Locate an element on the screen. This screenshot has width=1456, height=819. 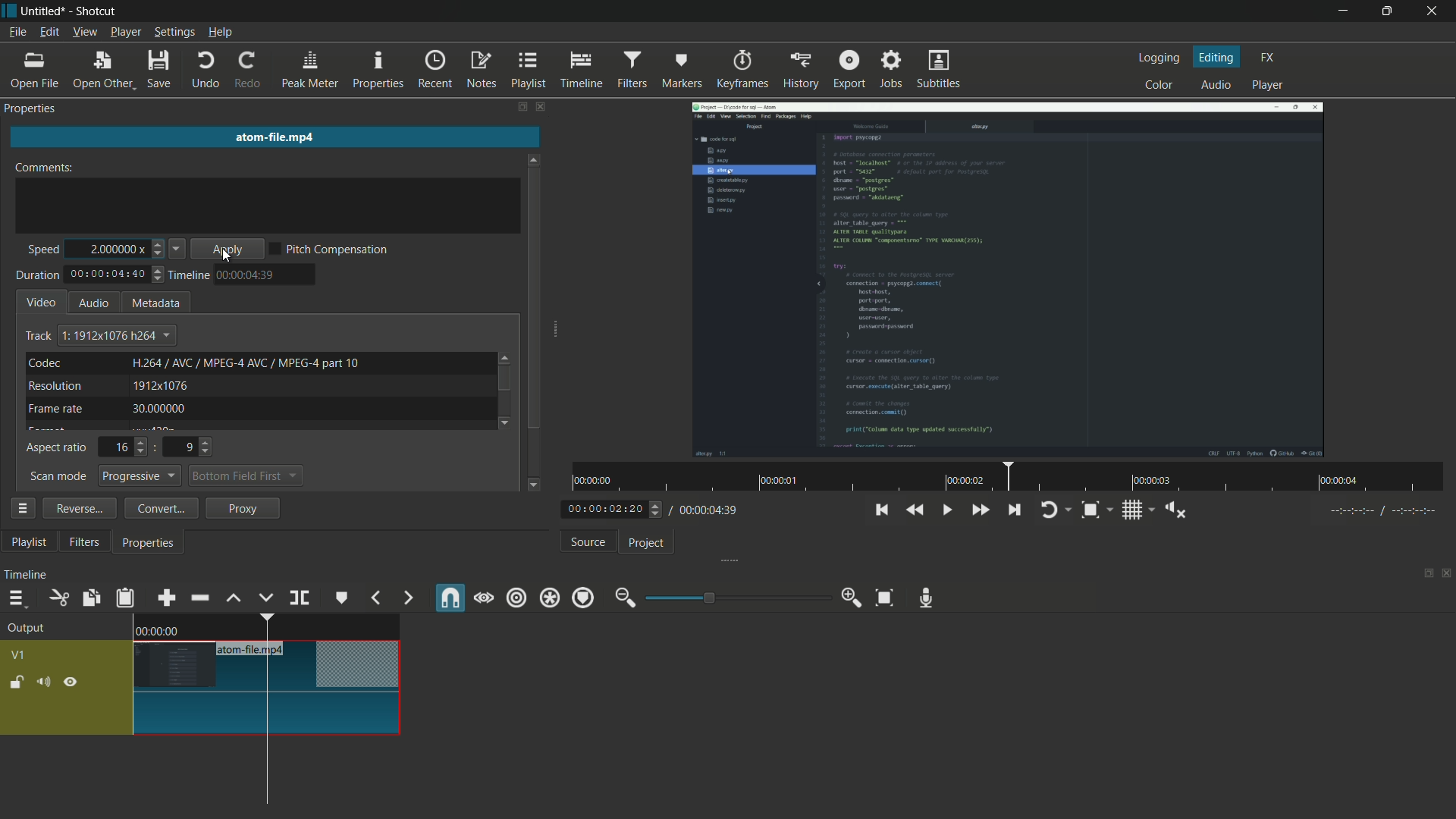
apply is located at coordinates (227, 249).